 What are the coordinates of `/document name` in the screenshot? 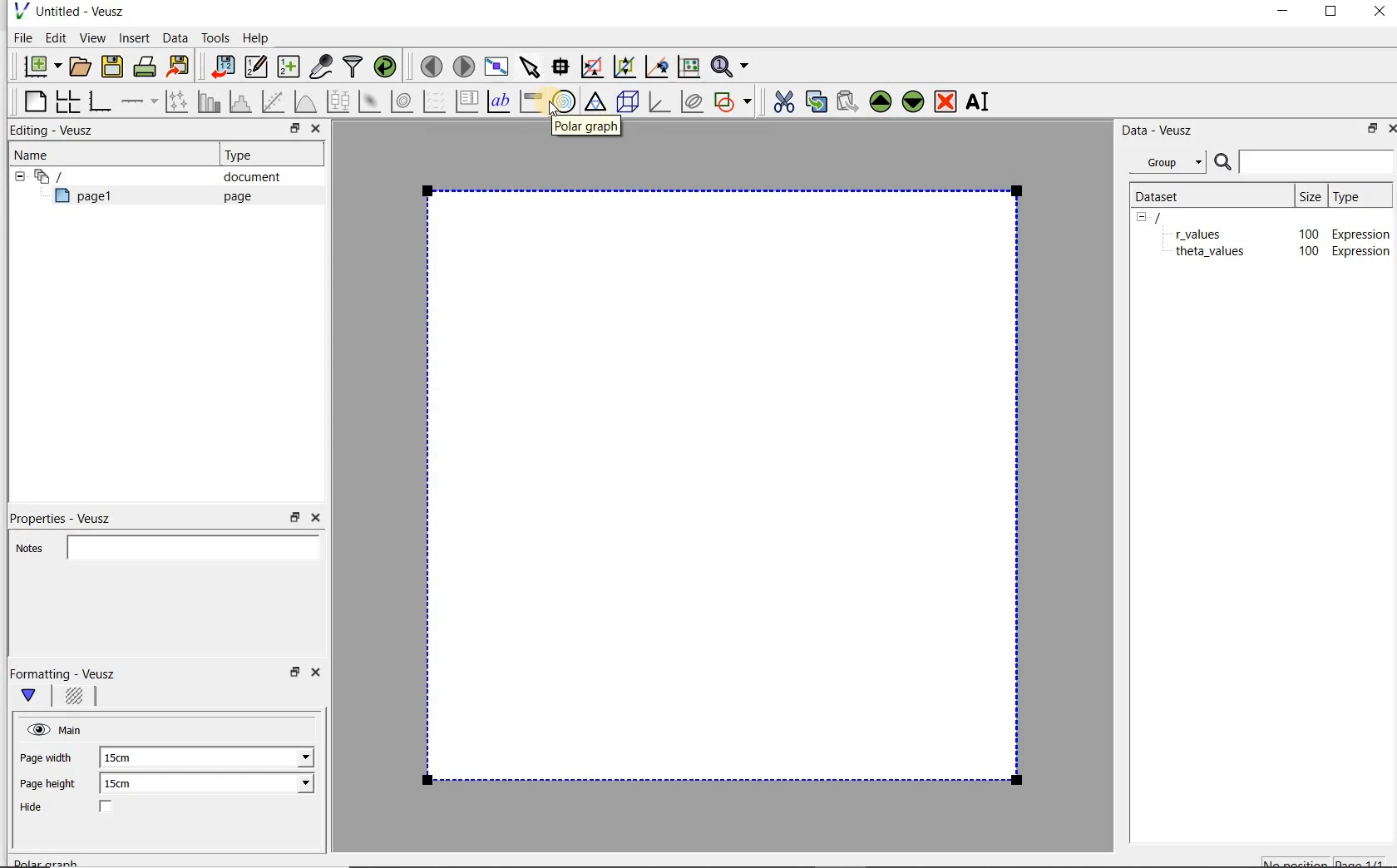 It's located at (1172, 216).